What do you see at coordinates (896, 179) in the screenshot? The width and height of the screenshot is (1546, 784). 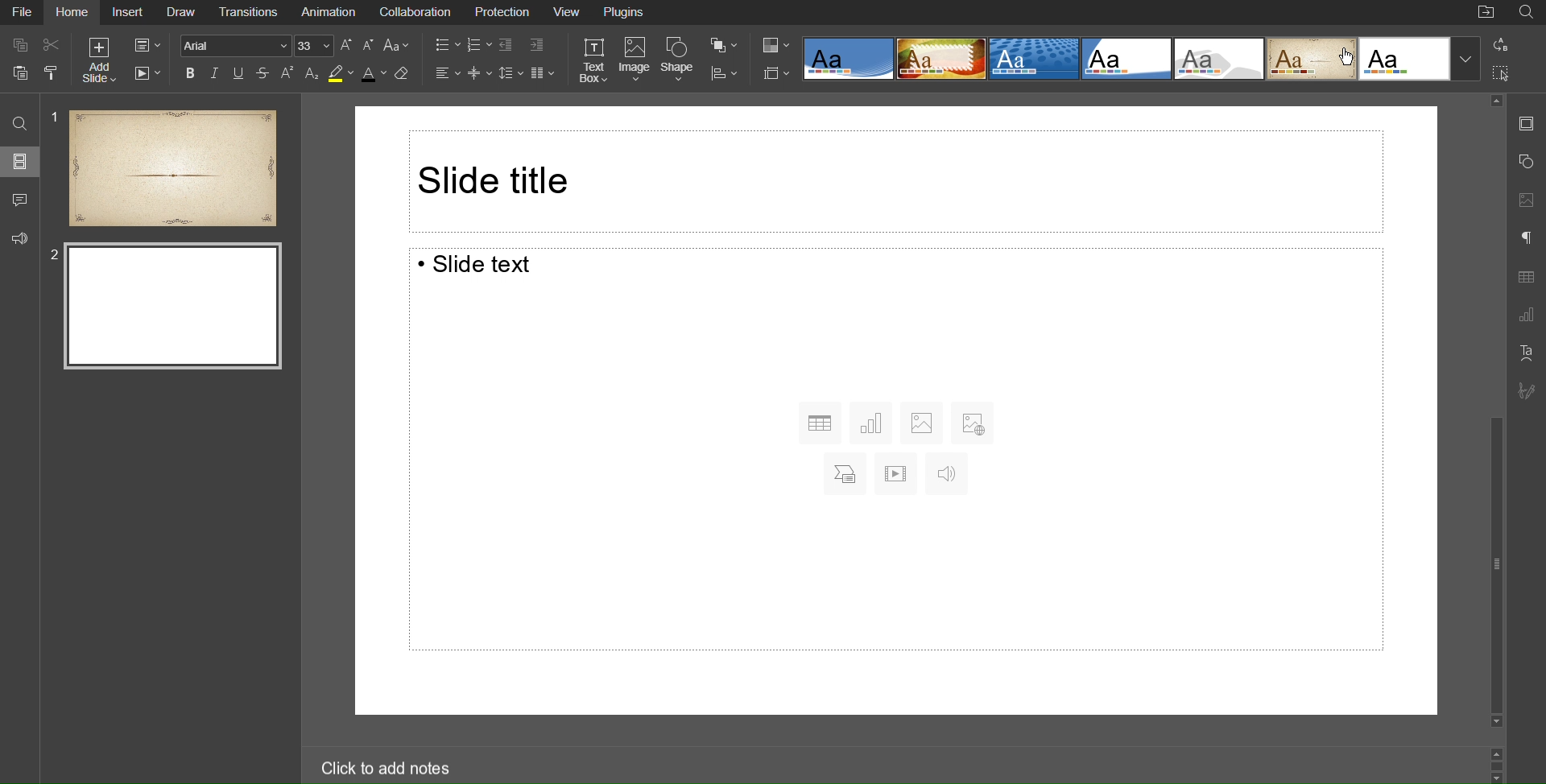 I see `Slide Title` at bounding box center [896, 179].